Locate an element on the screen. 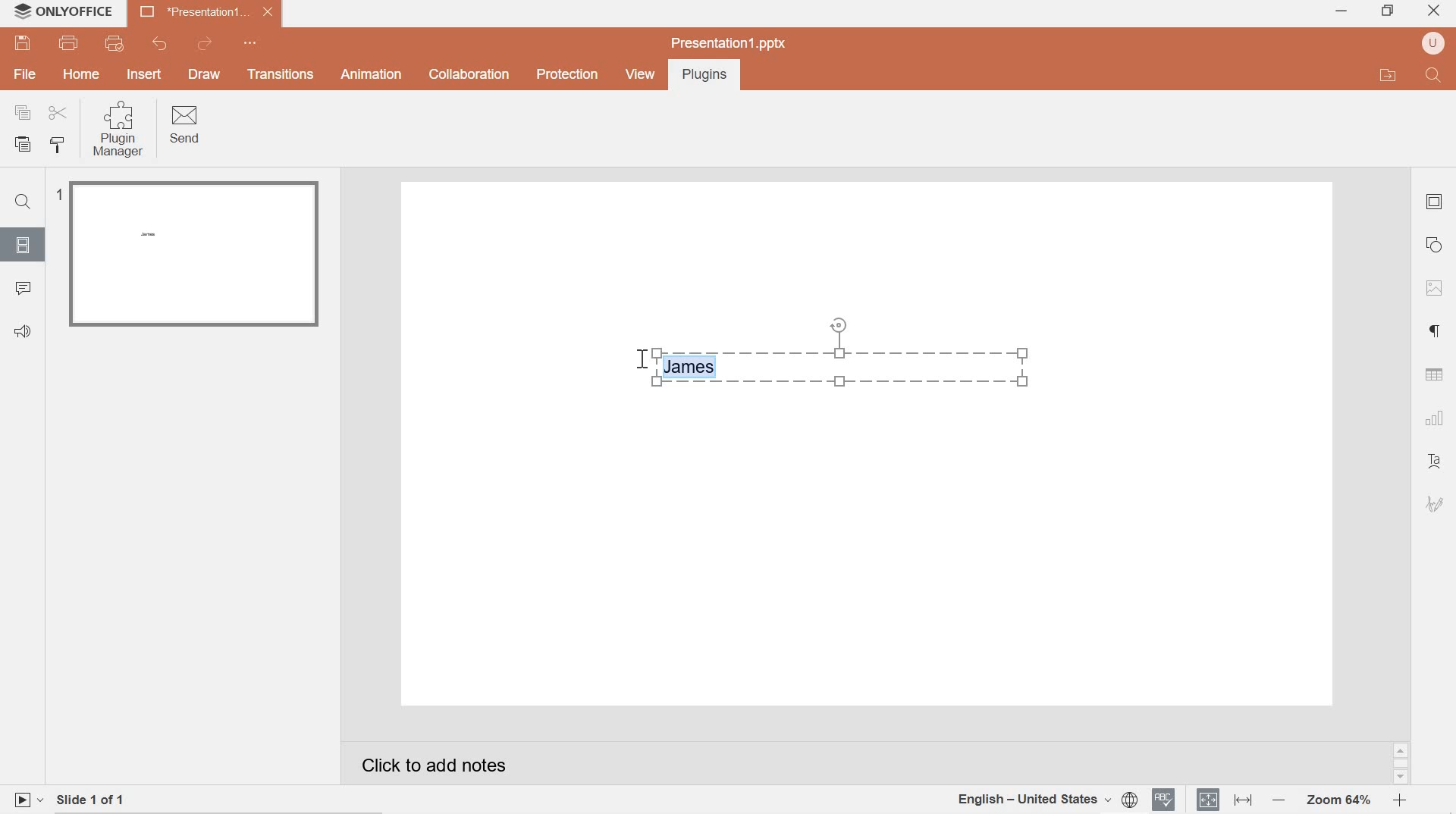 This screenshot has width=1456, height=814. presentation 1 is located at coordinates (206, 12).